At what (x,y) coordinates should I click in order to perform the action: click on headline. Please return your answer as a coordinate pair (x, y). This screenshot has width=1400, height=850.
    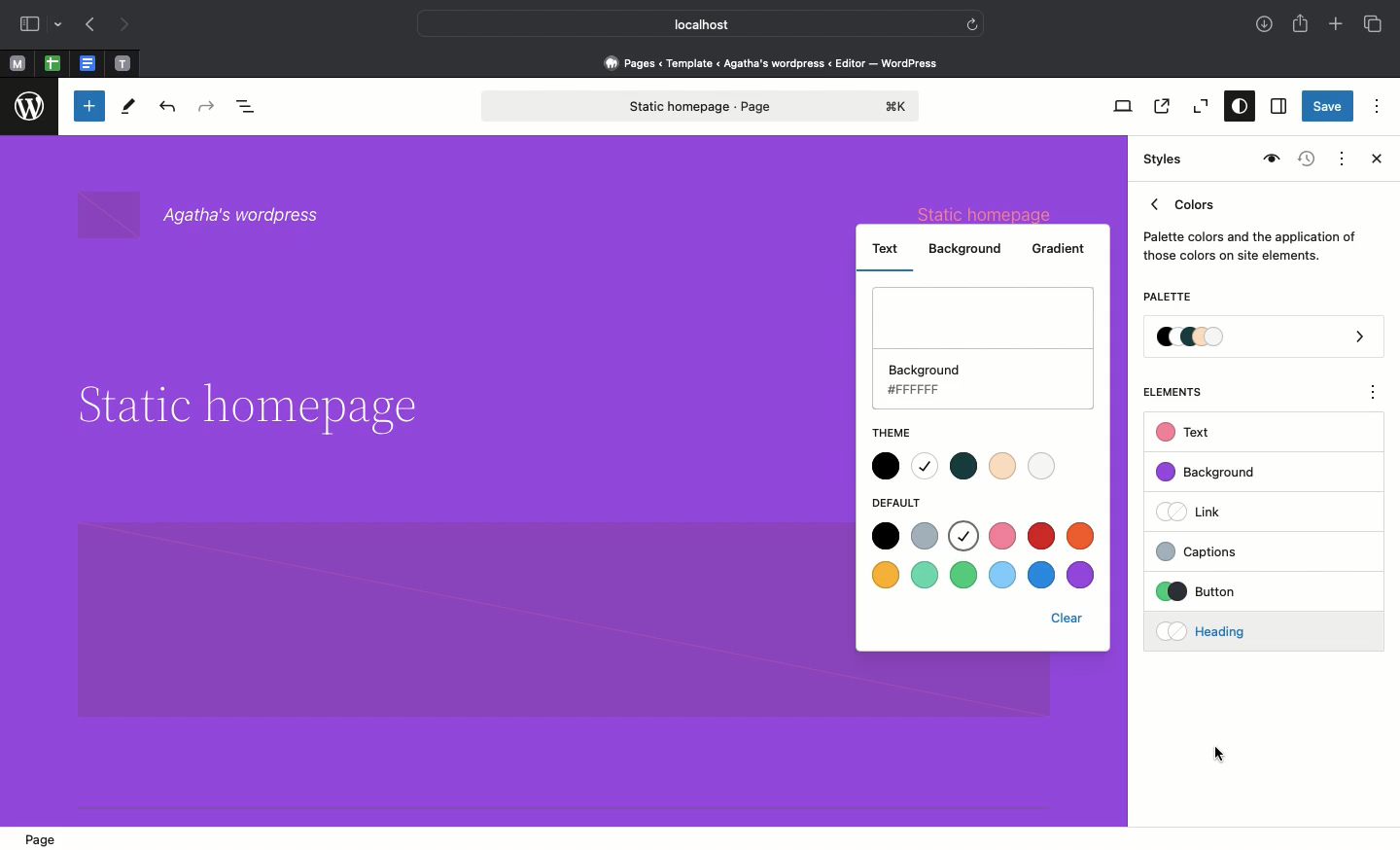
    Looking at the image, I should click on (245, 407).